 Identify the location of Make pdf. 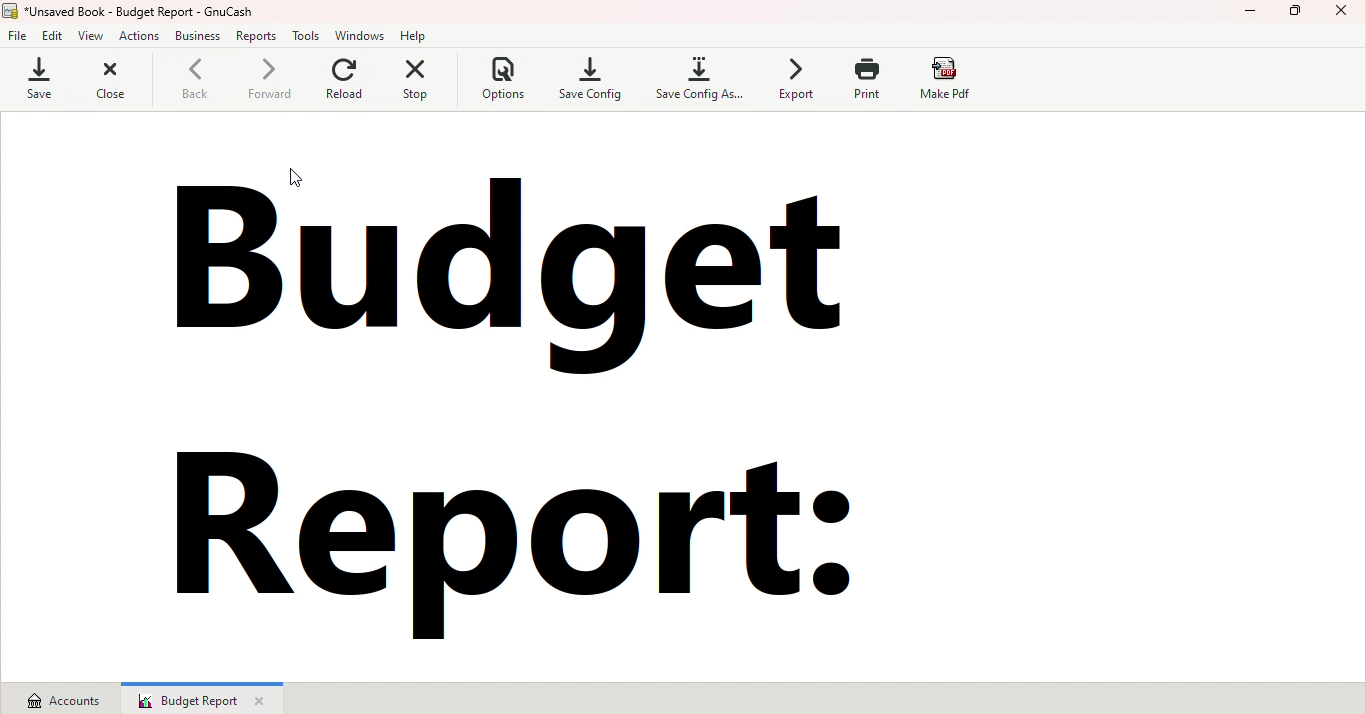
(952, 77).